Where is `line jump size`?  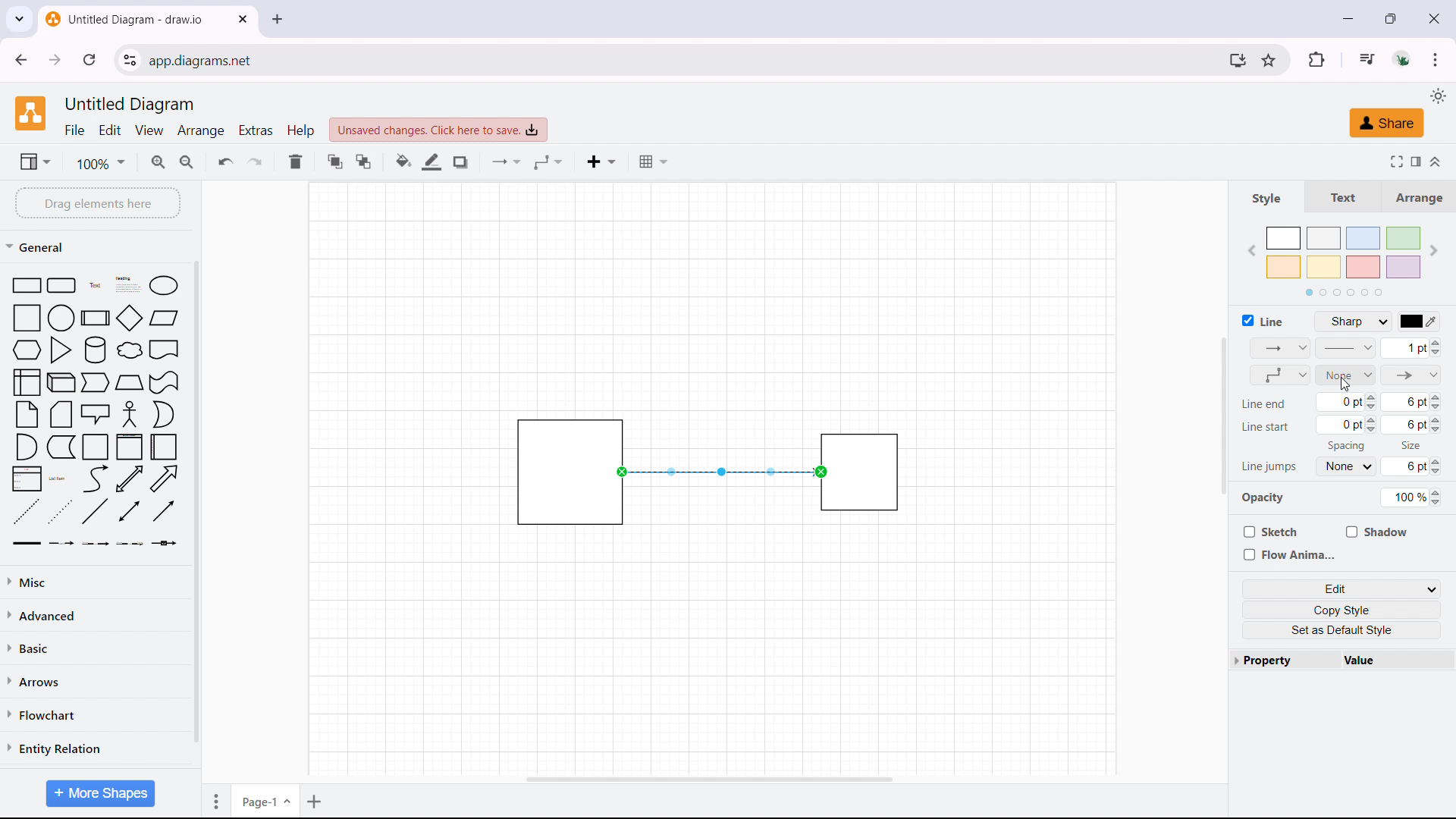
line jump size is located at coordinates (1411, 466).